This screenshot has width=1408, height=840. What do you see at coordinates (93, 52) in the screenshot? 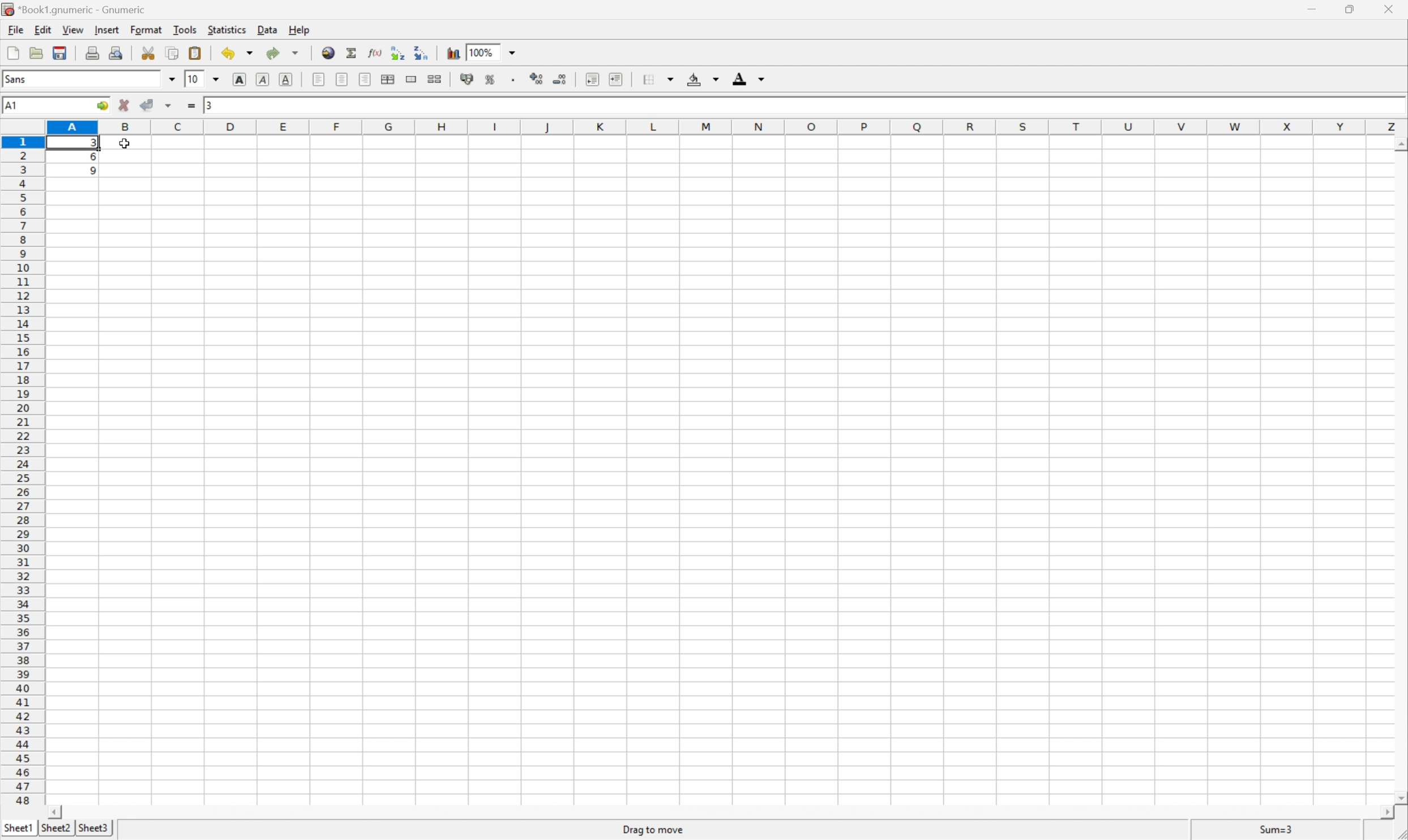
I see `Print current file` at bounding box center [93, 52].